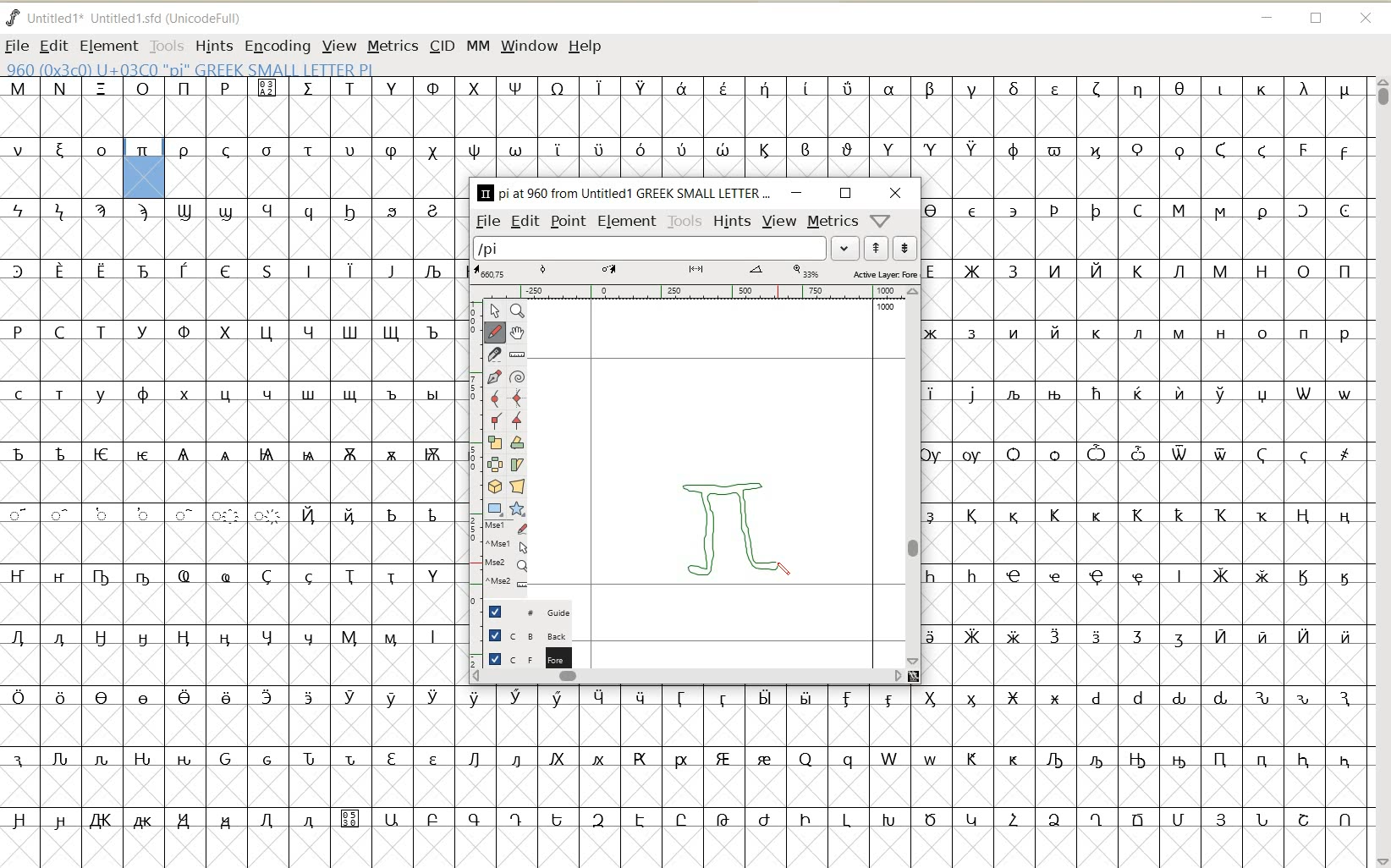 The height and width of the screenshot is (868, 1391). I want to click on HINTS, so click(732, 222).